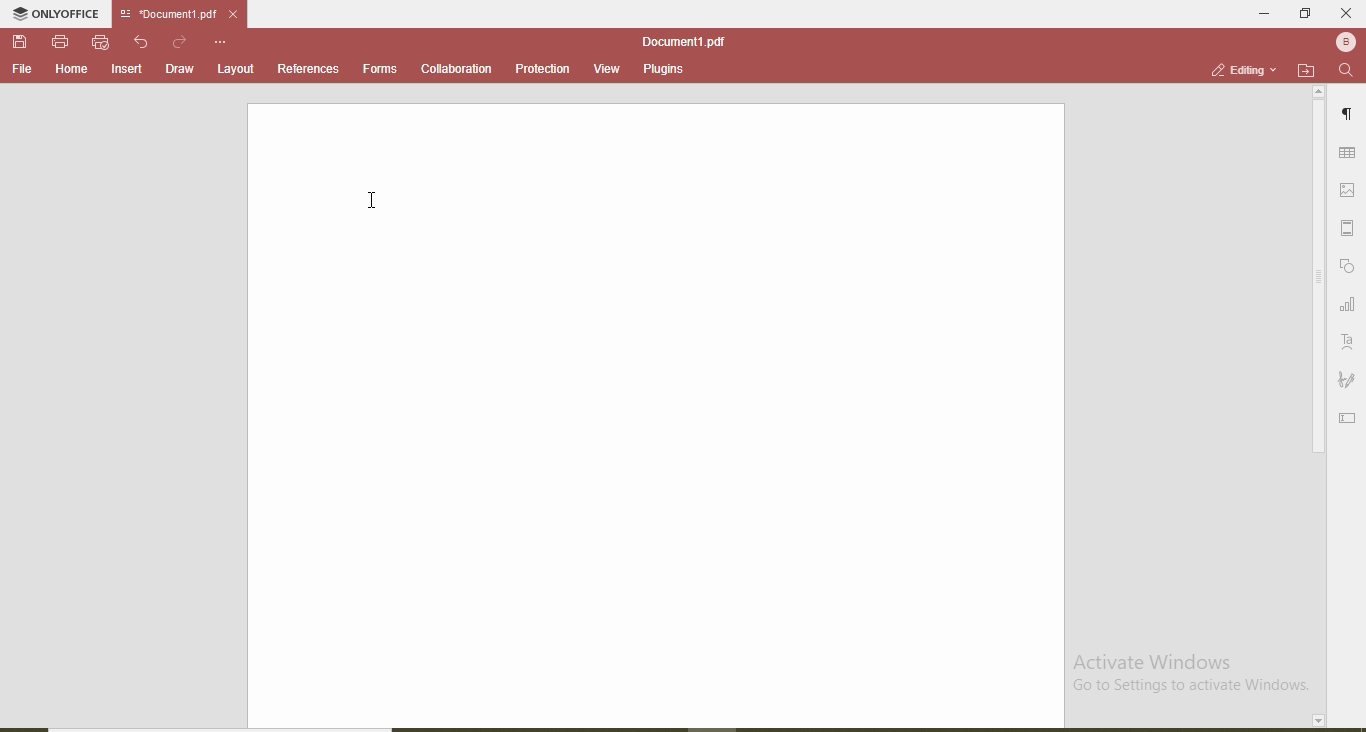  Describe the element at coordinates (164, 15) in the screenshot. I see `file name` at that location.